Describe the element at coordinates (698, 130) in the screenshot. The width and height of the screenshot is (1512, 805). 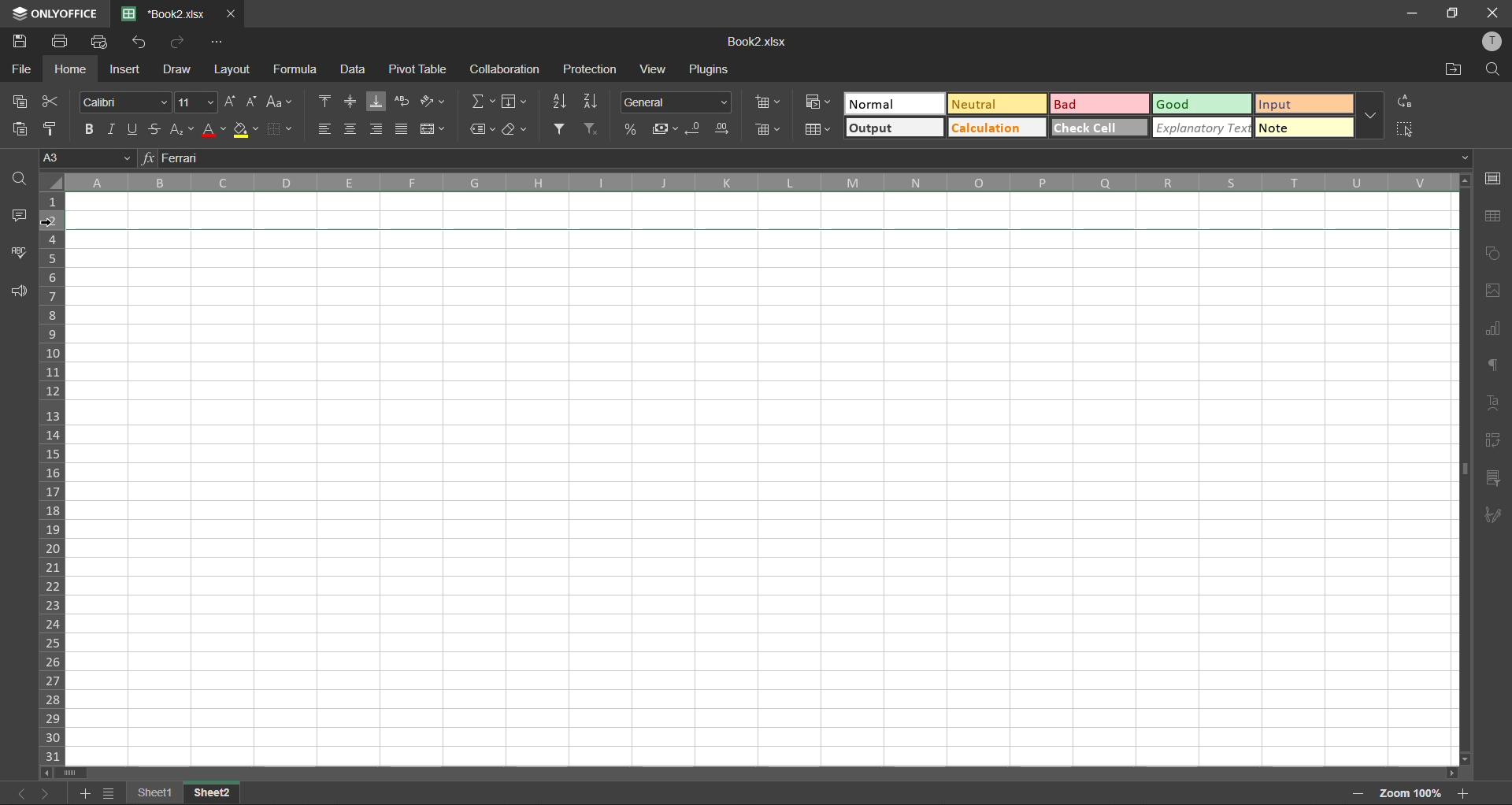
I see `decrease decimal` at that location.